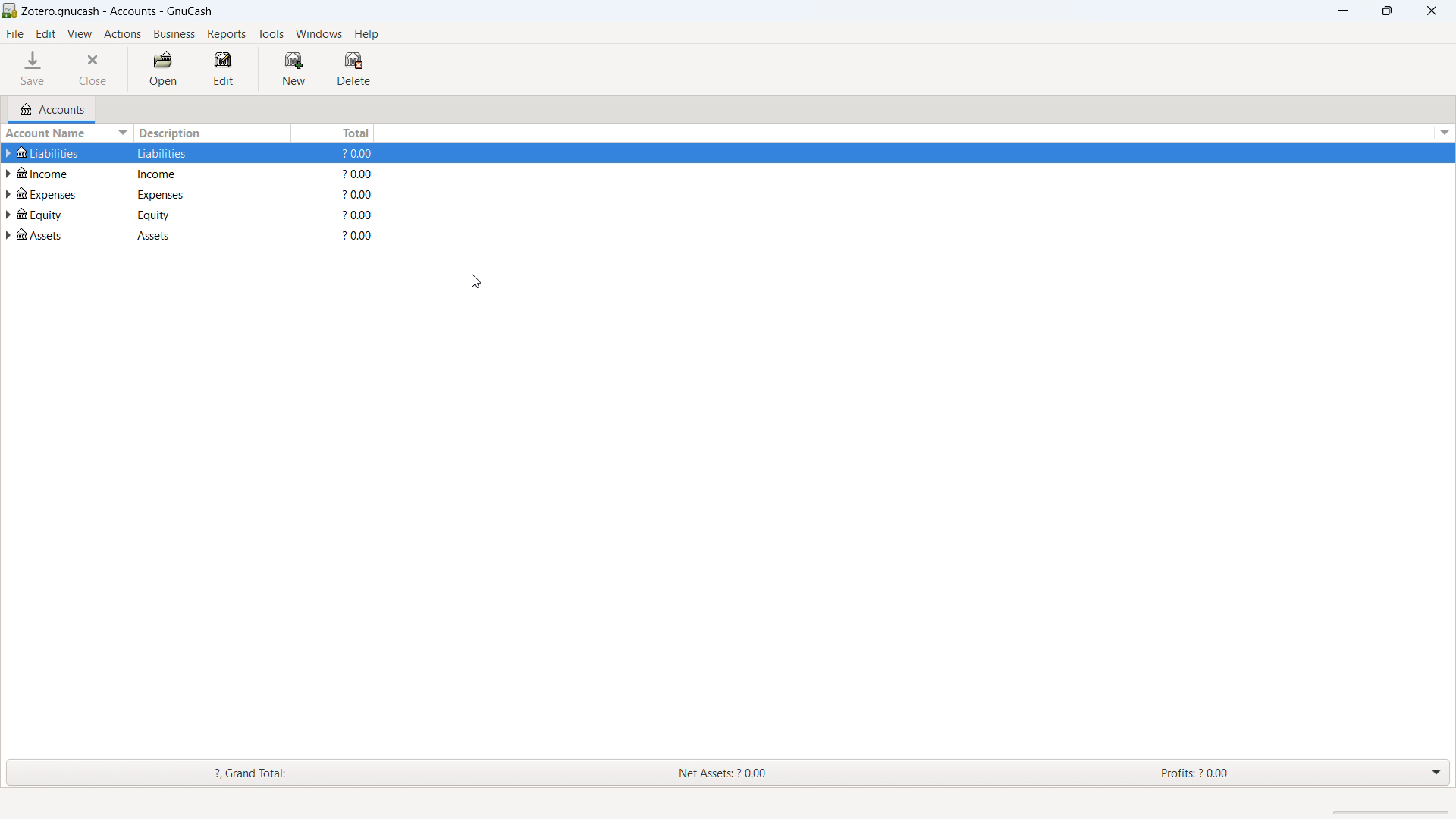 The height and width of the screenshot is (819, 1456). I want to click on maximize, so click(1387, 10).